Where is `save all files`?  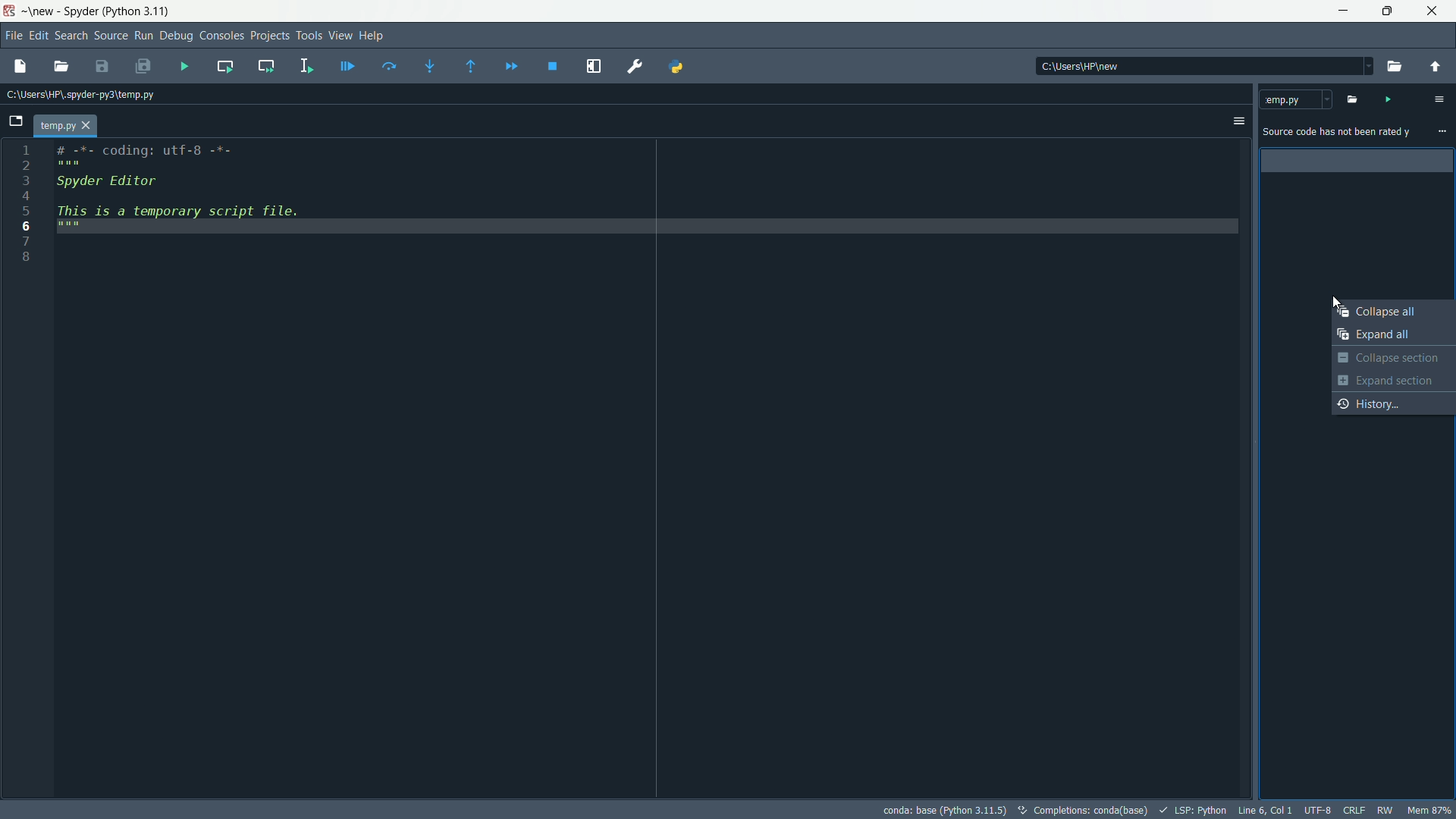
save all files is located at coordinates (143, 67).